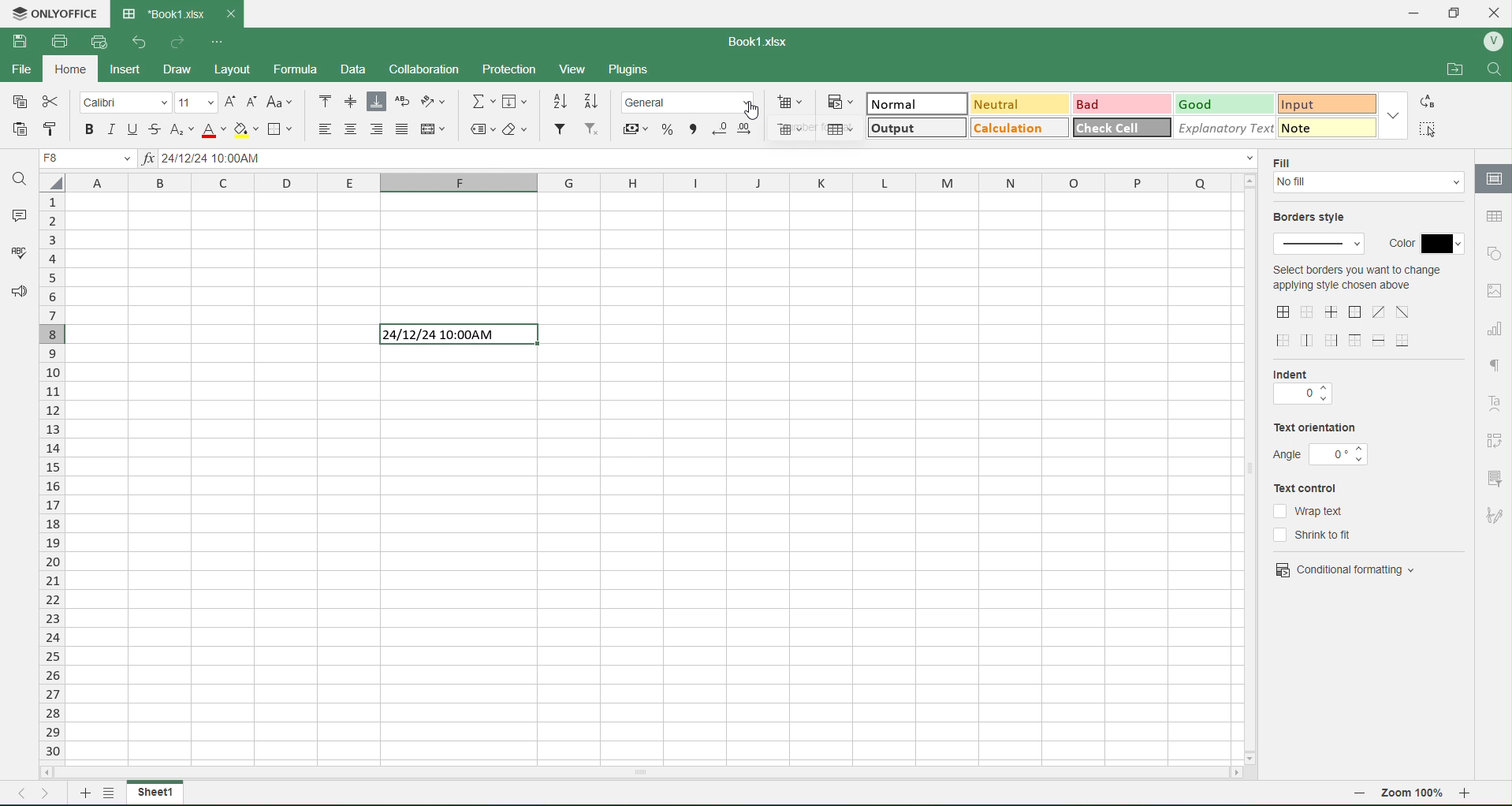  I want to click on Sort Descending, so click(594, 100).